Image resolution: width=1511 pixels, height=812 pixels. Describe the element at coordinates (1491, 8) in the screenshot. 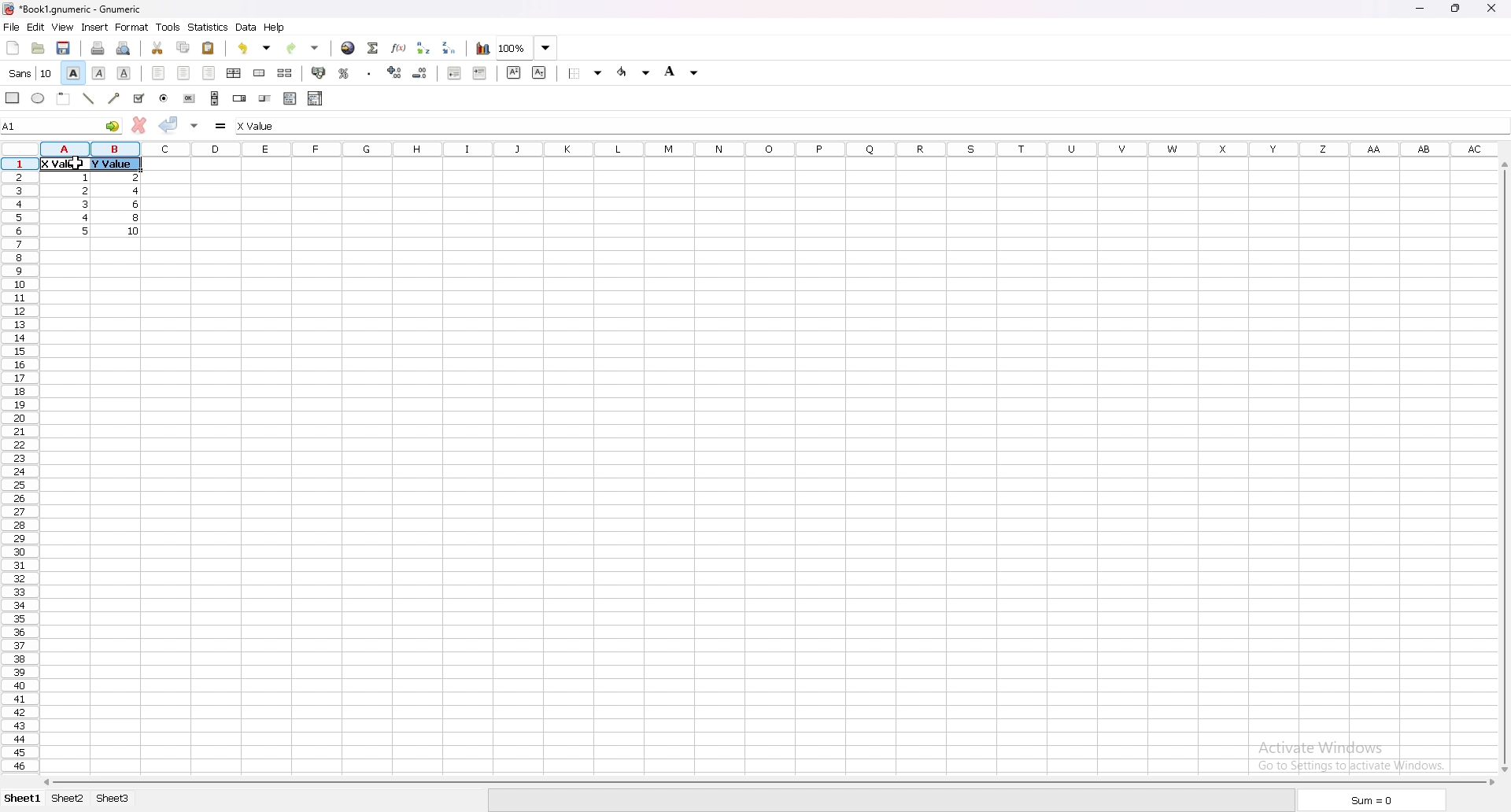

I see `close` at that location.